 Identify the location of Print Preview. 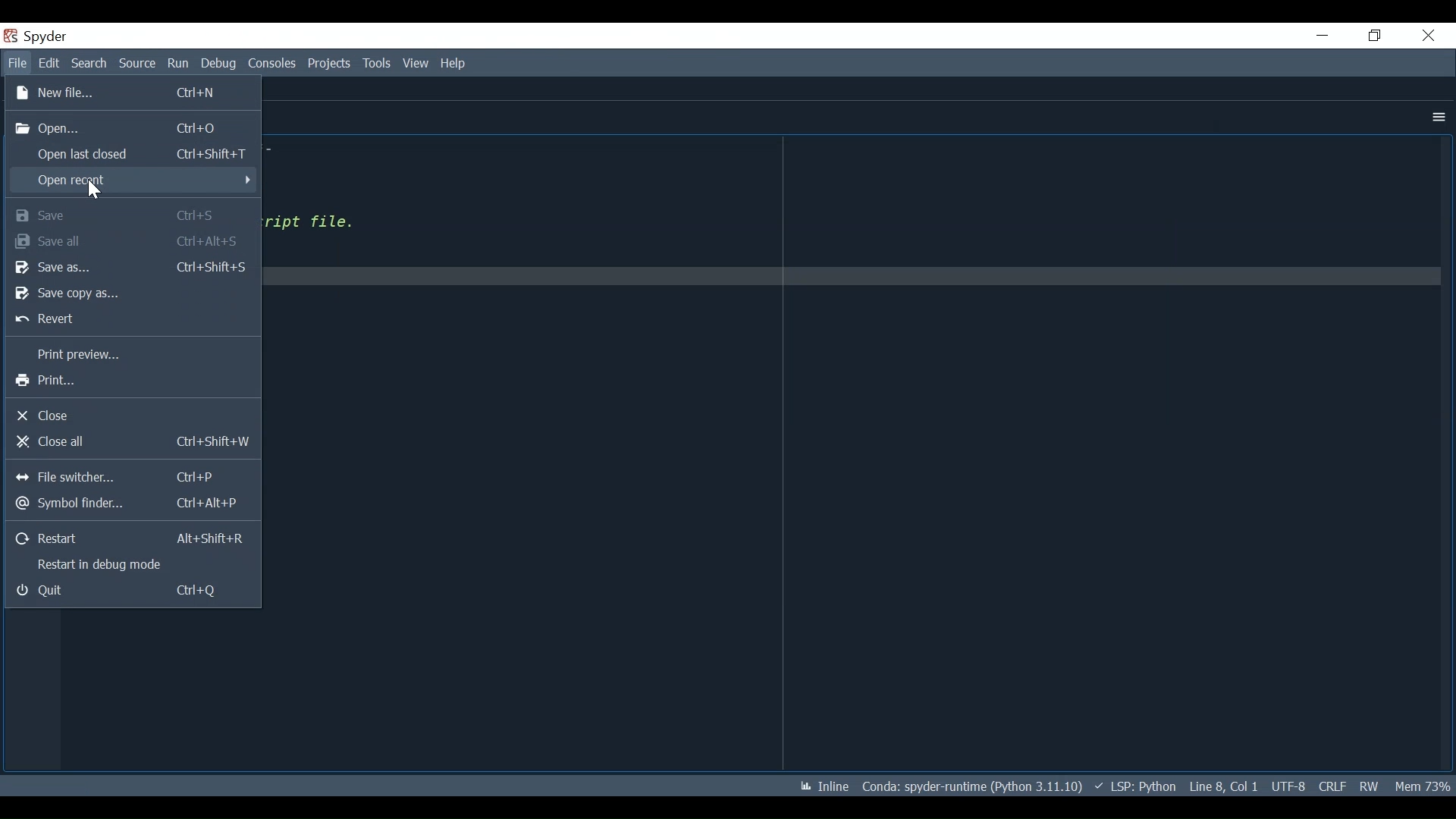
(131, 354).